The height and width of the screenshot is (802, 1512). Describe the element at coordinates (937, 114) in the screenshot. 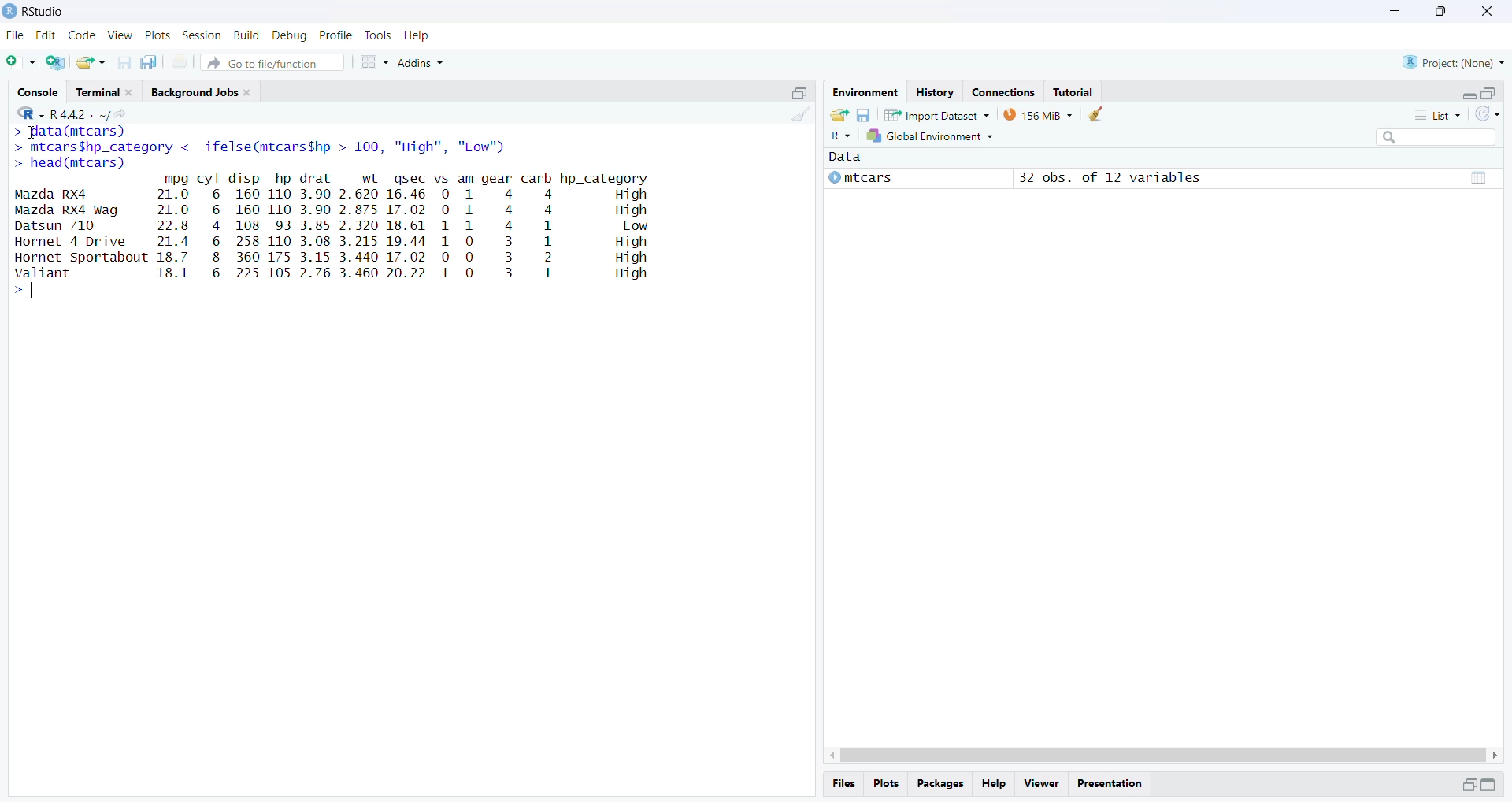

I see `Import Dataset` at that location.